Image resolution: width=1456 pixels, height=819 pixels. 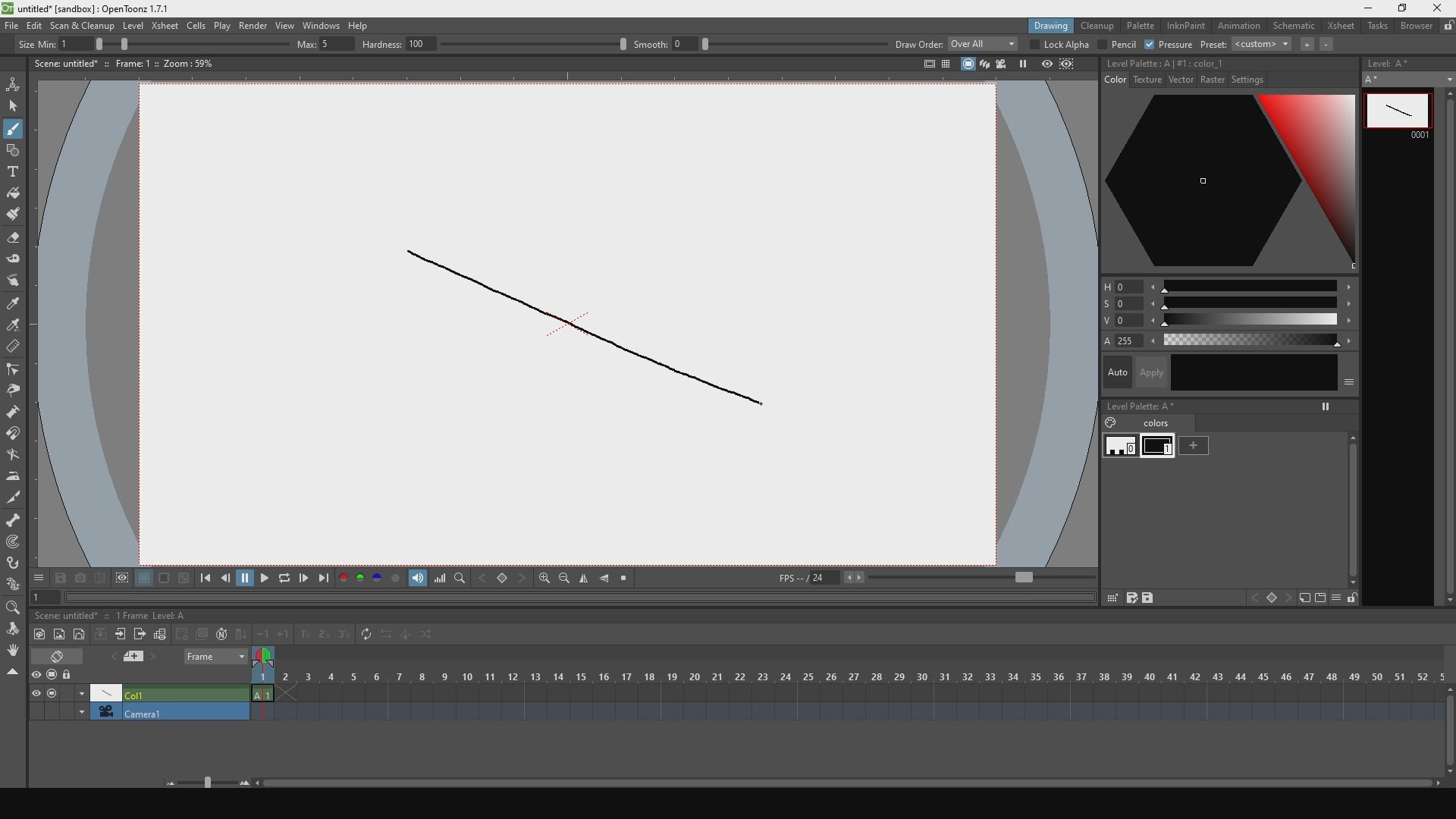 What do you see at coordinates (504, 579) in the screenshot?
I see `backward and forward` at bounding box center [504, 579].